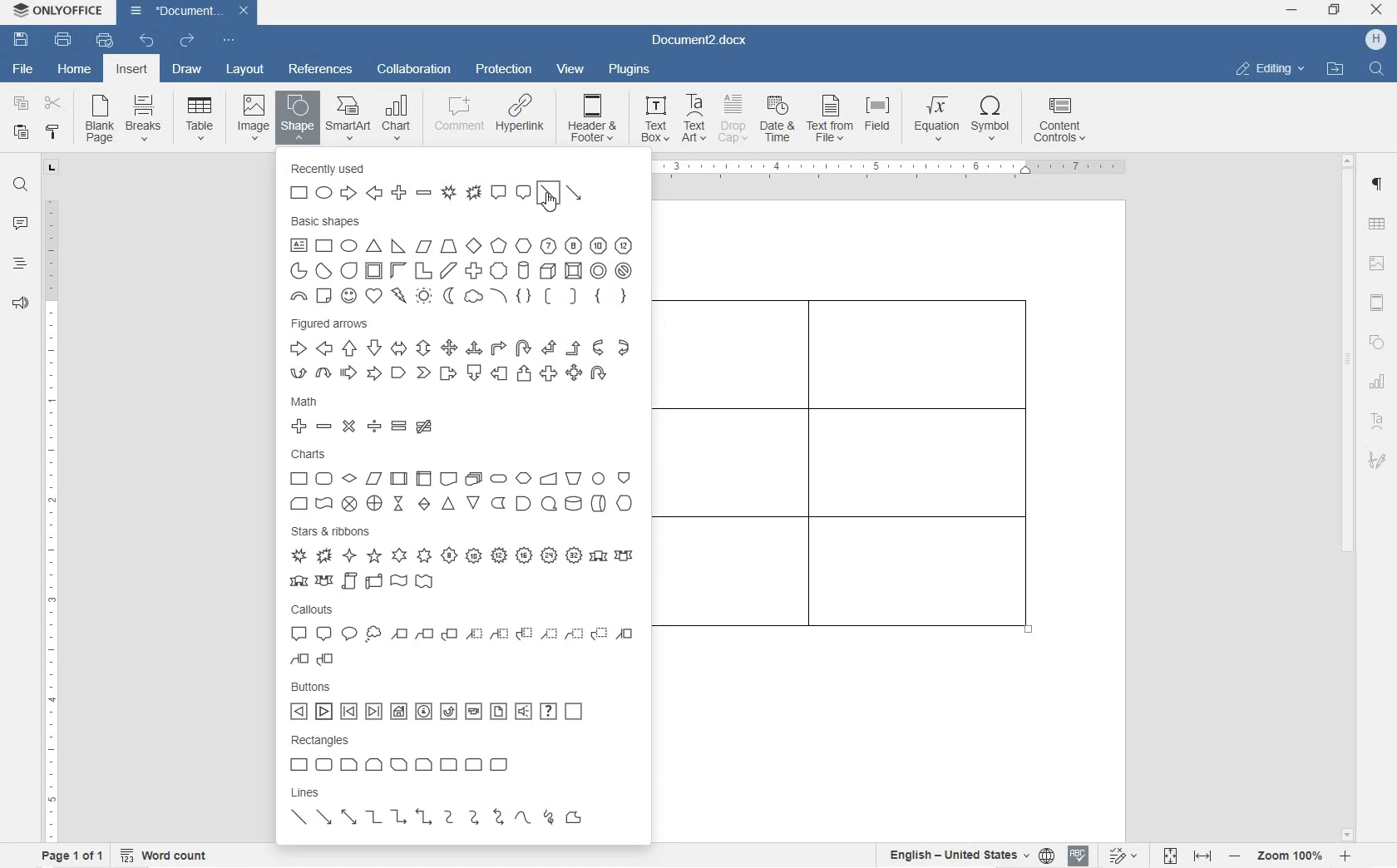 The width and height of the screenshot is (1397, 868). What do you see at coordinates (1187, 855) in the screenshot?
I see `fit to page or width` at bounding box center [1187, 855].